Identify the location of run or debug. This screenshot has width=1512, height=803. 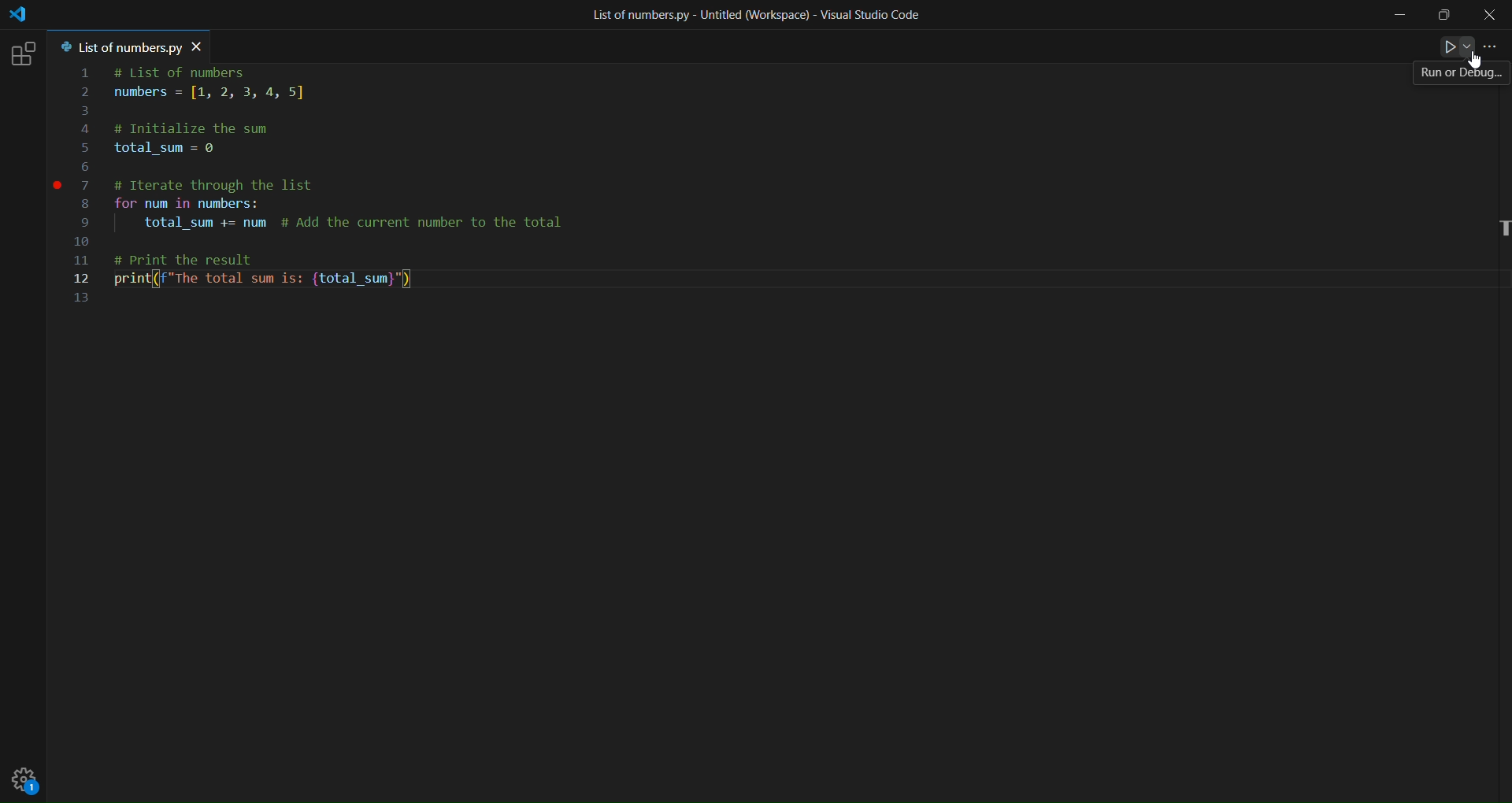
(1458, 76).